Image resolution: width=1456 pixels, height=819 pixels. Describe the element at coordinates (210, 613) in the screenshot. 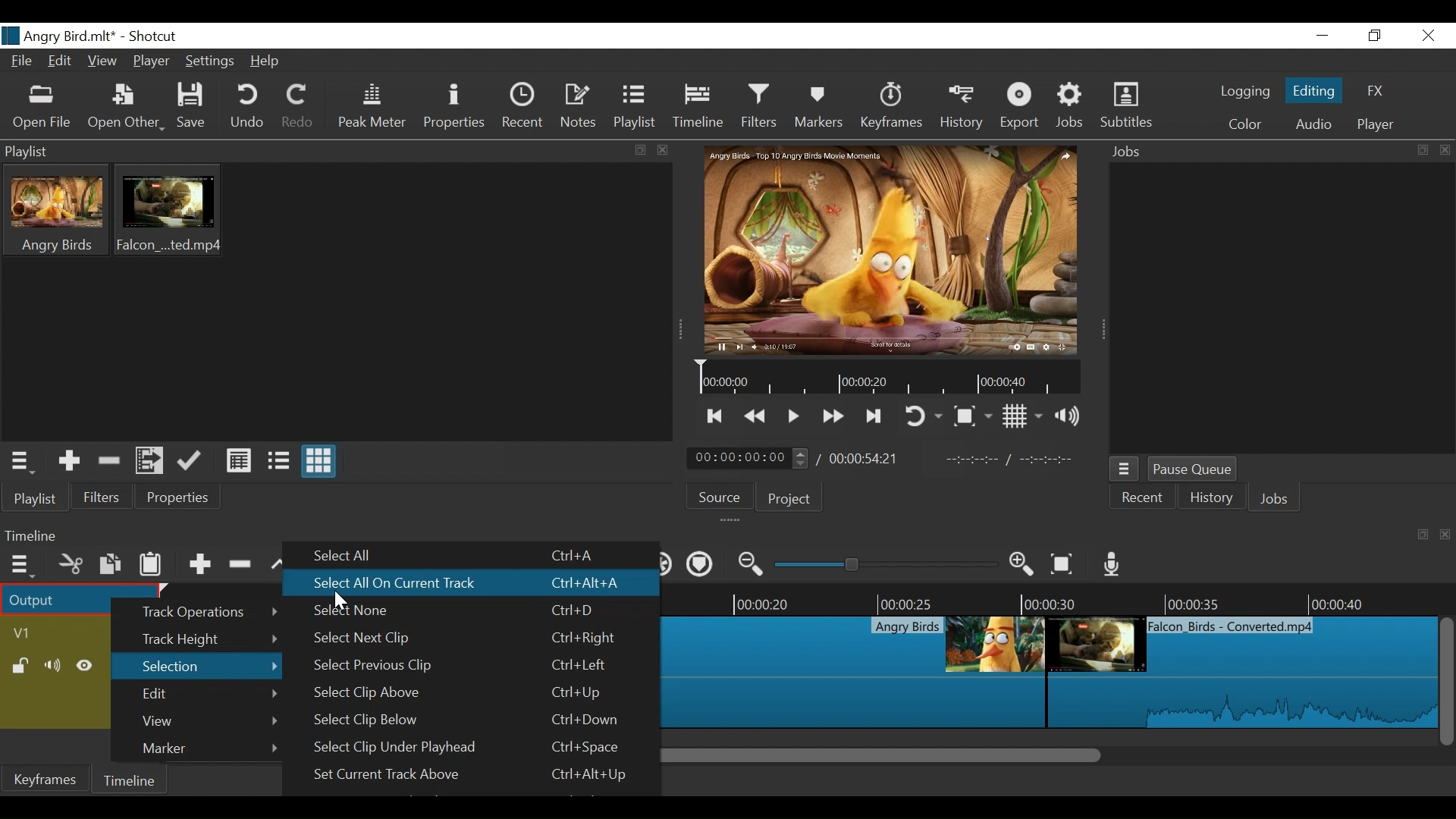

I see `Track Operations` at that location.